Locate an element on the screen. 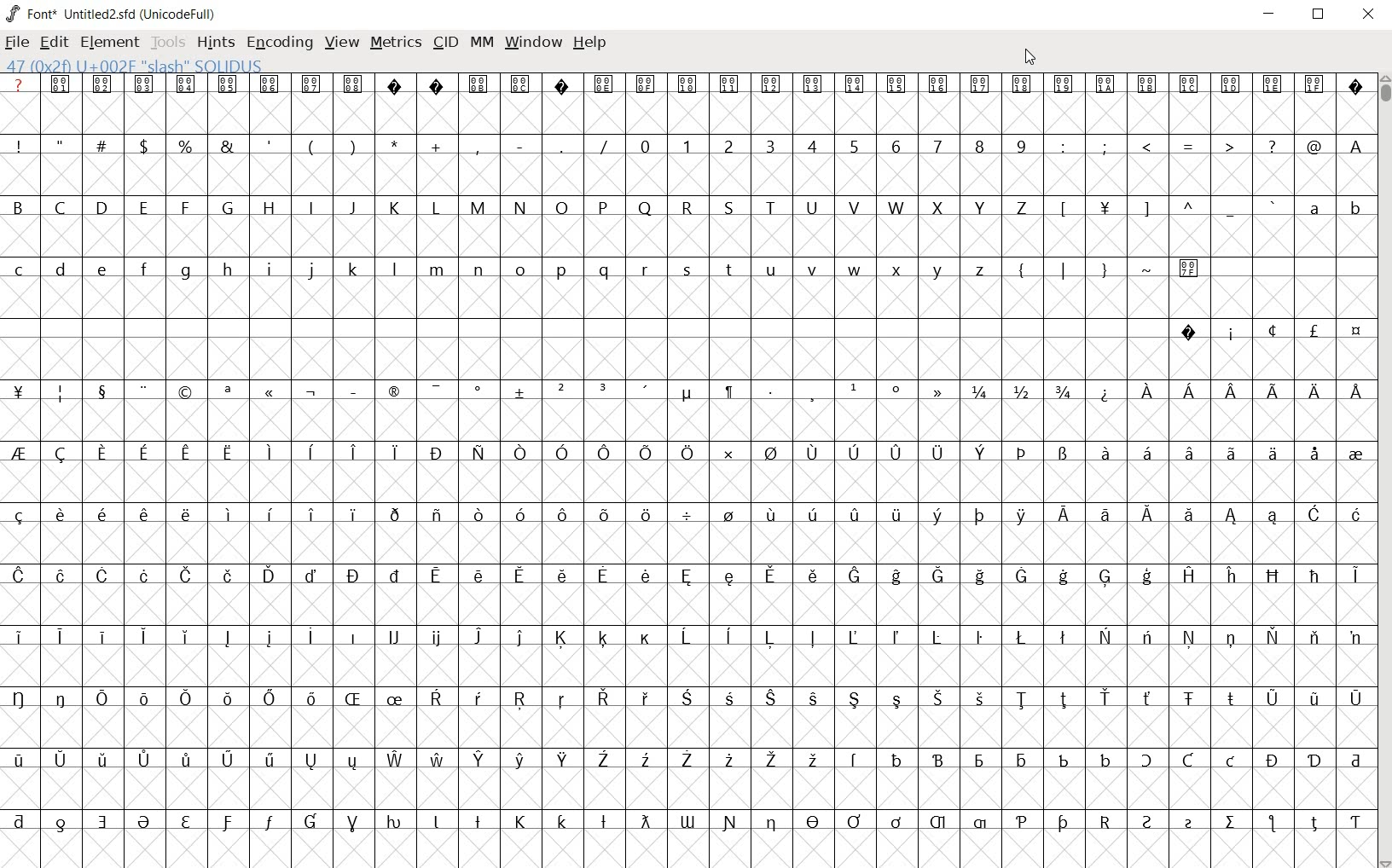 This screenshot has height=868, width=1392. MM is located at coordinates (480, 42).